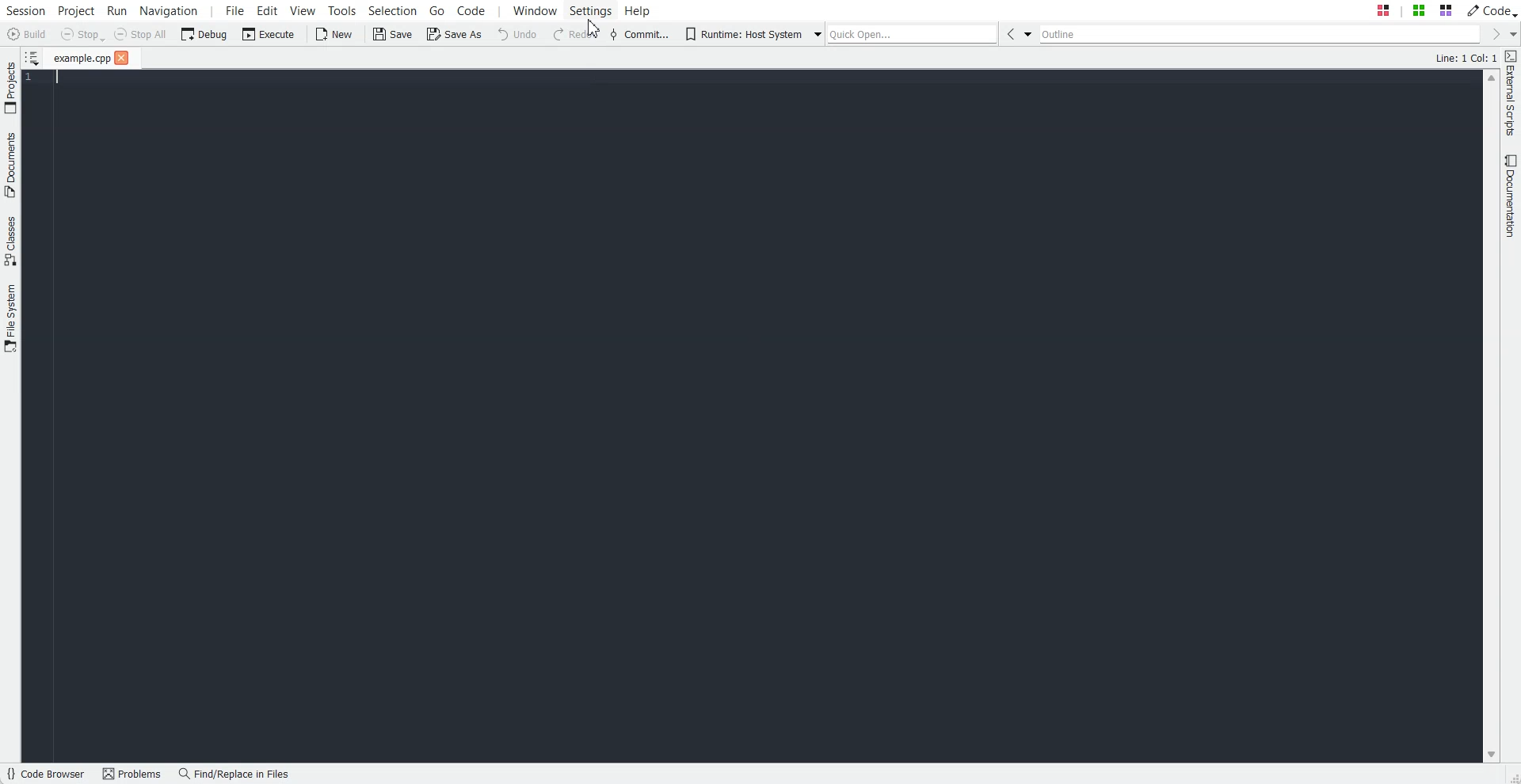  Describe the element at coordinates (741, 34) in the screenshot. I see `Runtime: Host System` at that location.